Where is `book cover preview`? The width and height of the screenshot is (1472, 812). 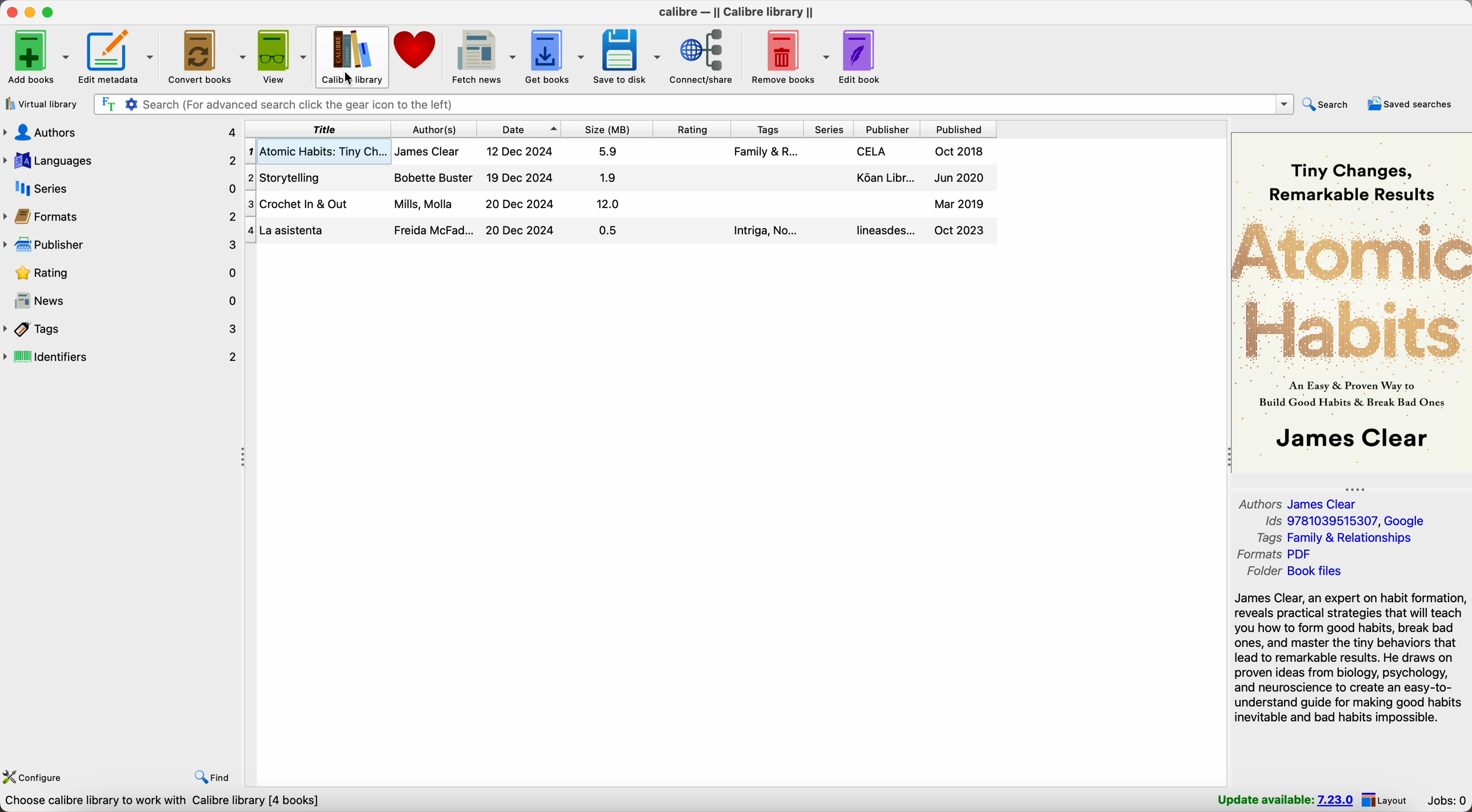 book cover preview is located at coordinates (1350, 301).